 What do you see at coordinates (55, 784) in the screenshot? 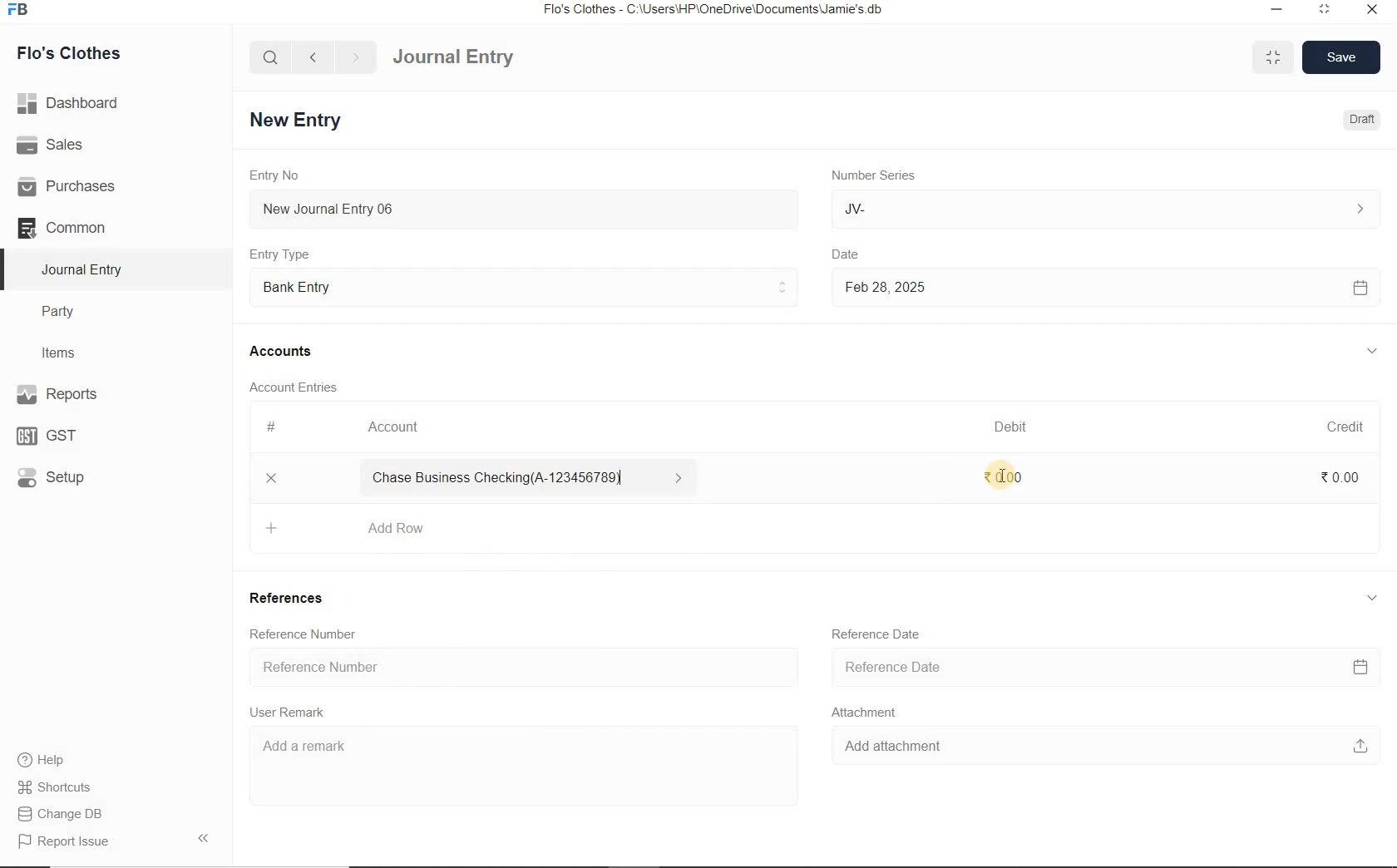
I see `Shortcuts` at bounding box center [55, 784].